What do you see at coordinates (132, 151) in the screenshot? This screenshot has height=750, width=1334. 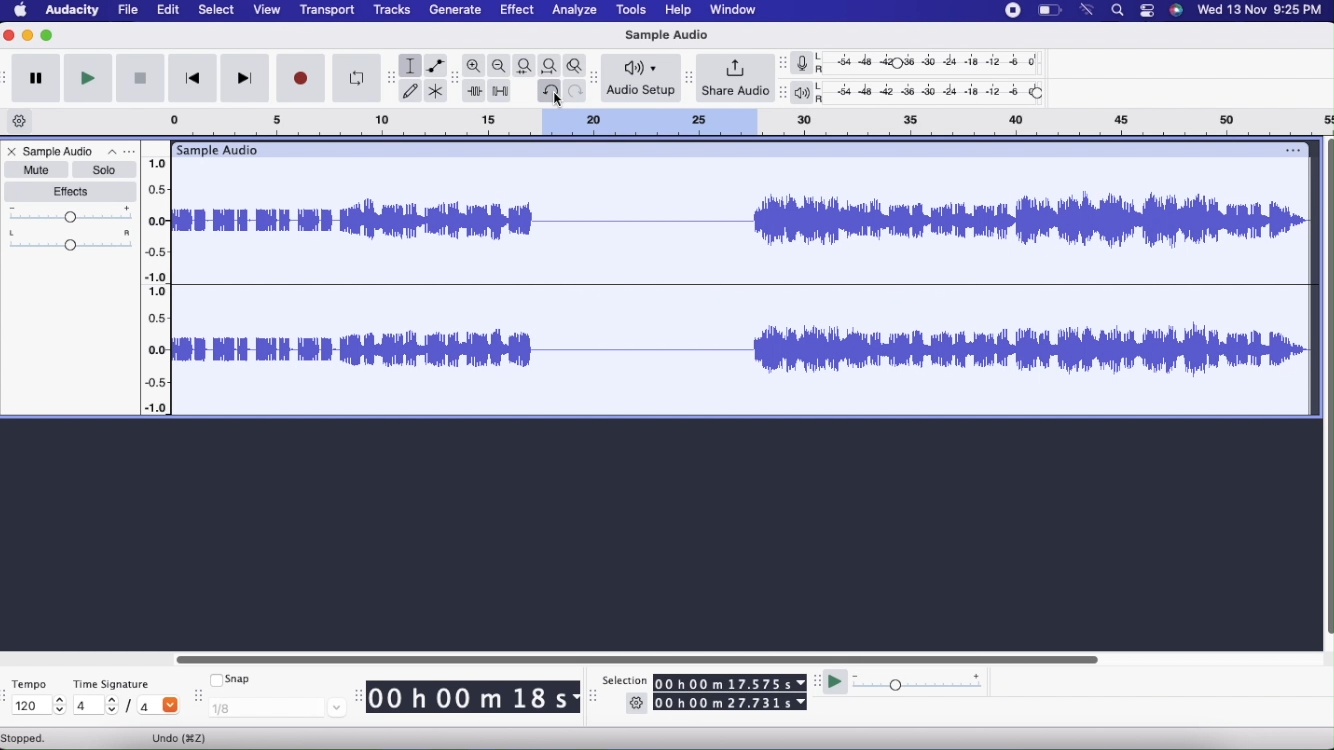 I see `more options` at bounding box center [132, 151].